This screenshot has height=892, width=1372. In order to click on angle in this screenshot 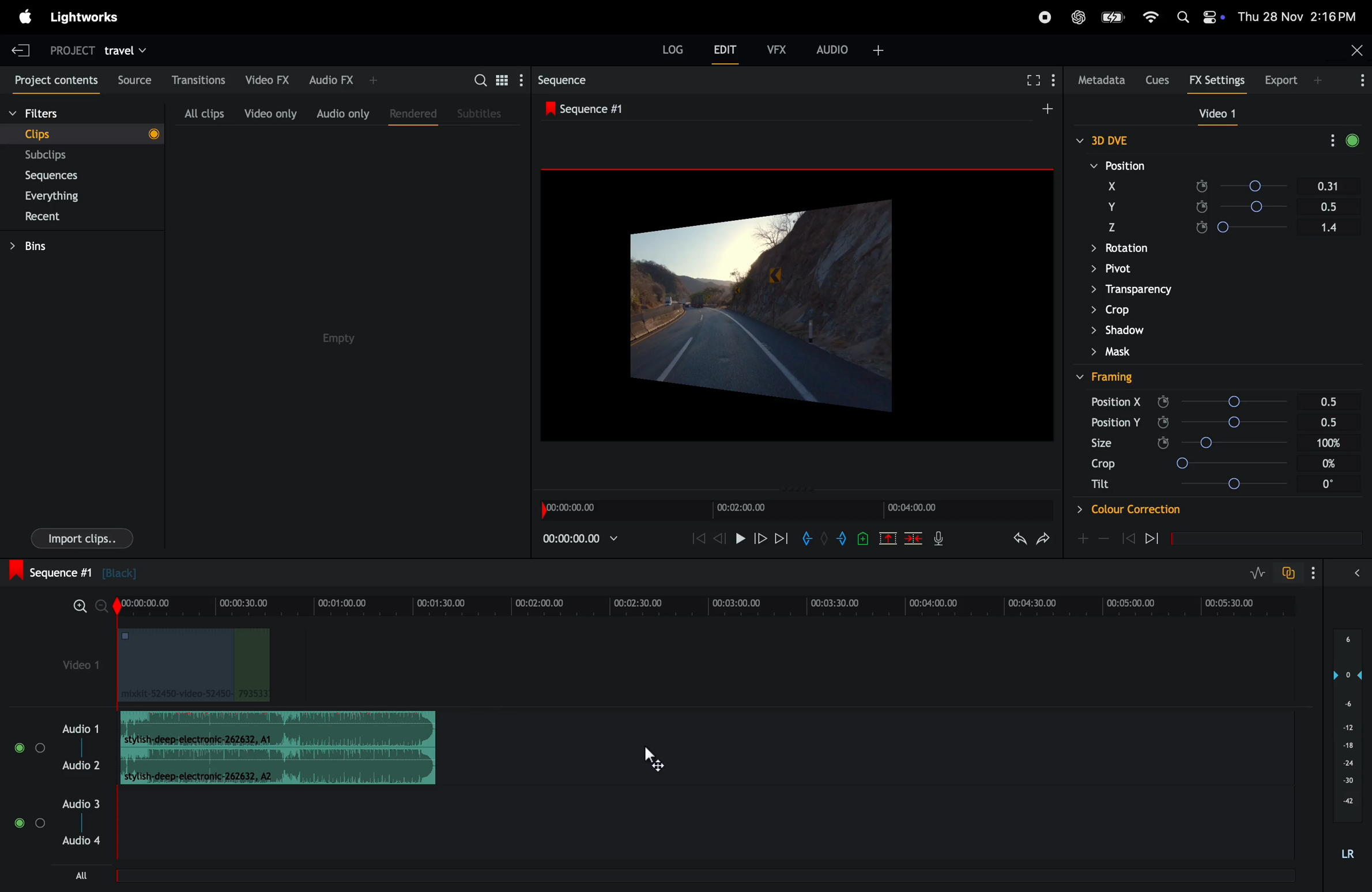, I will do `click(1247, 165)`.